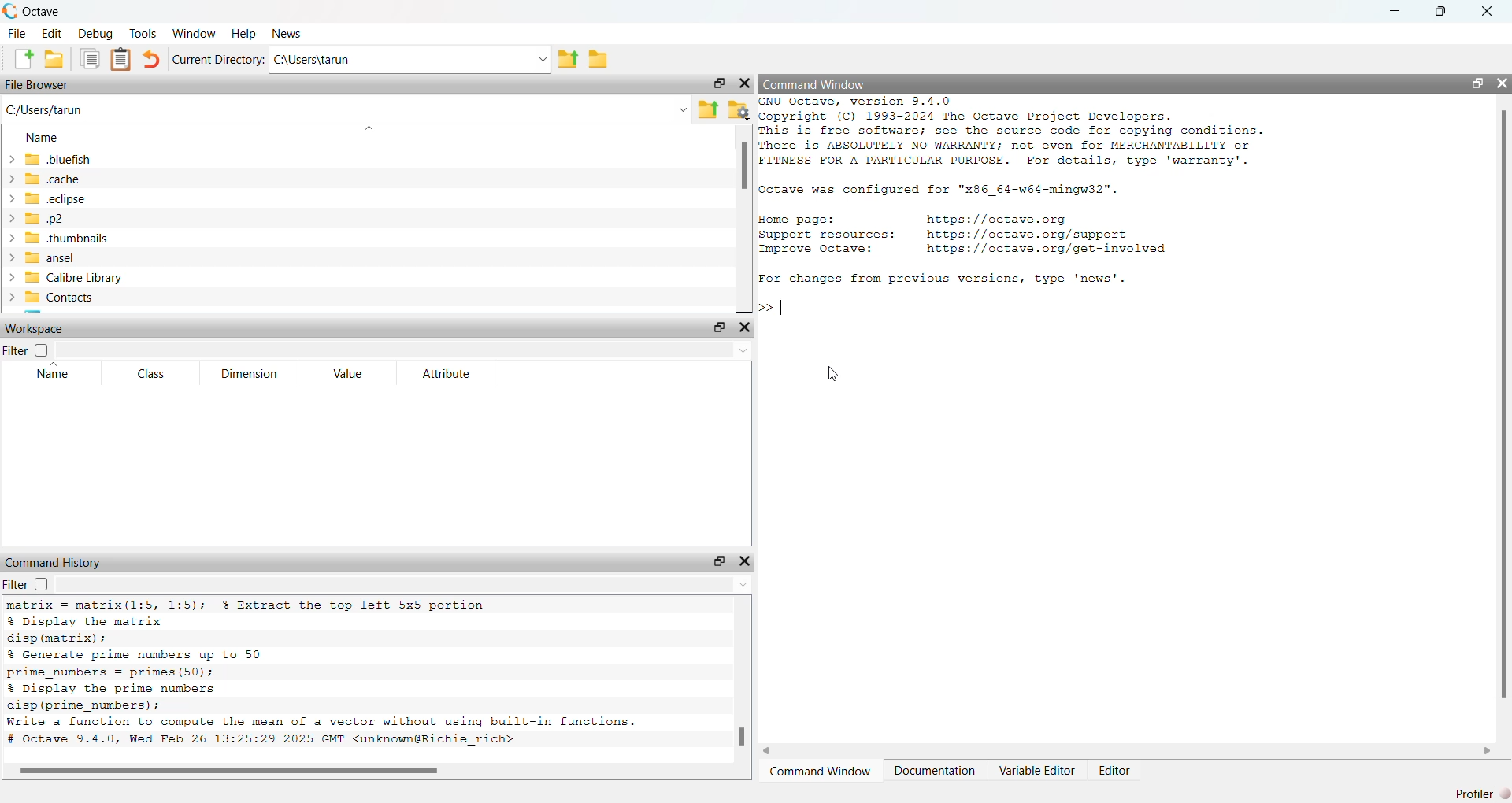 The height and width of the screenshot is (803, 1512). I want to click on add file, so click(23, 60).